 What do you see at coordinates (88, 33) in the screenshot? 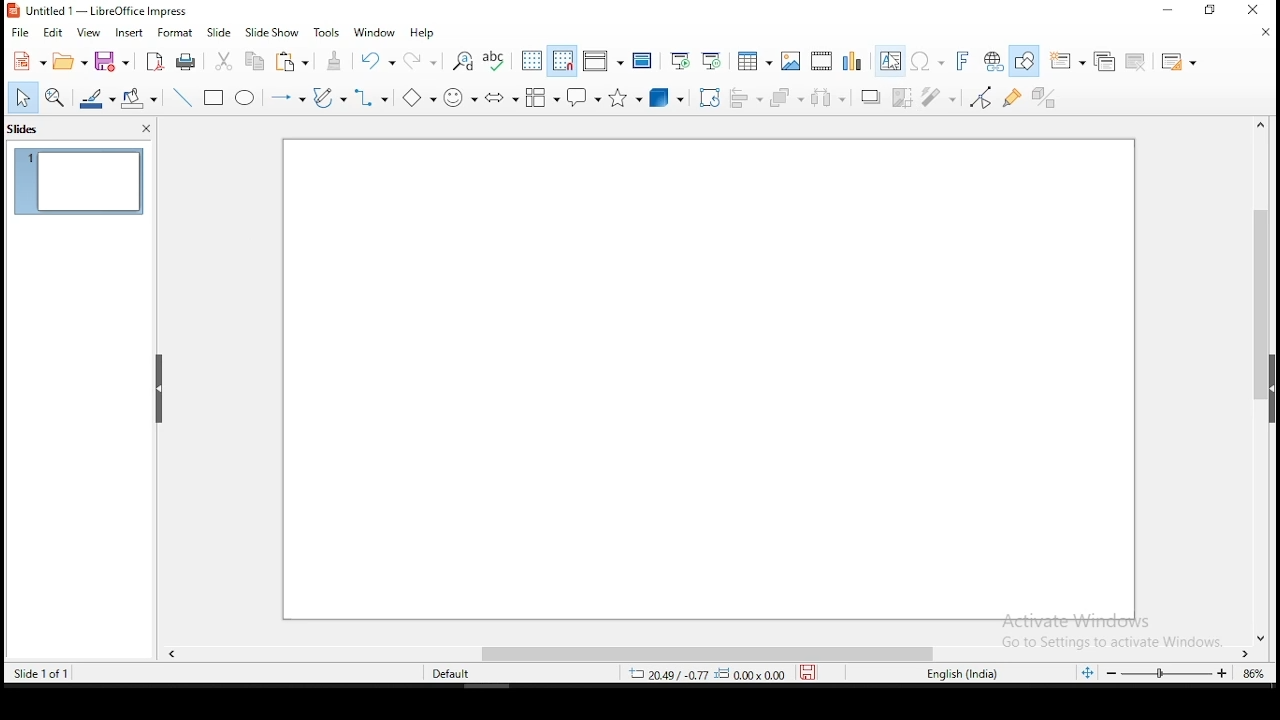
I see `view` at bounding box center [88, 33].